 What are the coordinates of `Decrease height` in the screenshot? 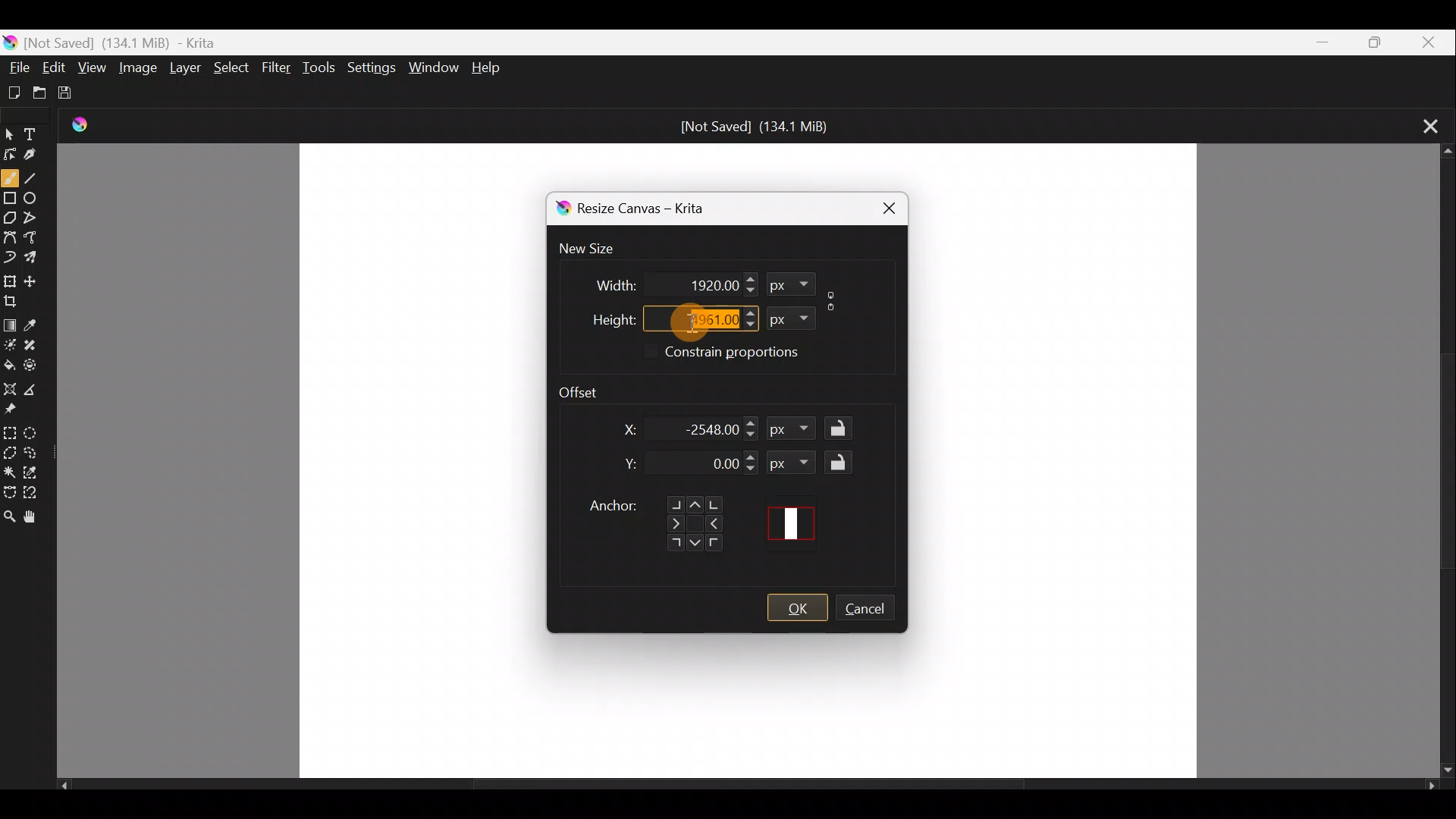 It's located at (750, 325).